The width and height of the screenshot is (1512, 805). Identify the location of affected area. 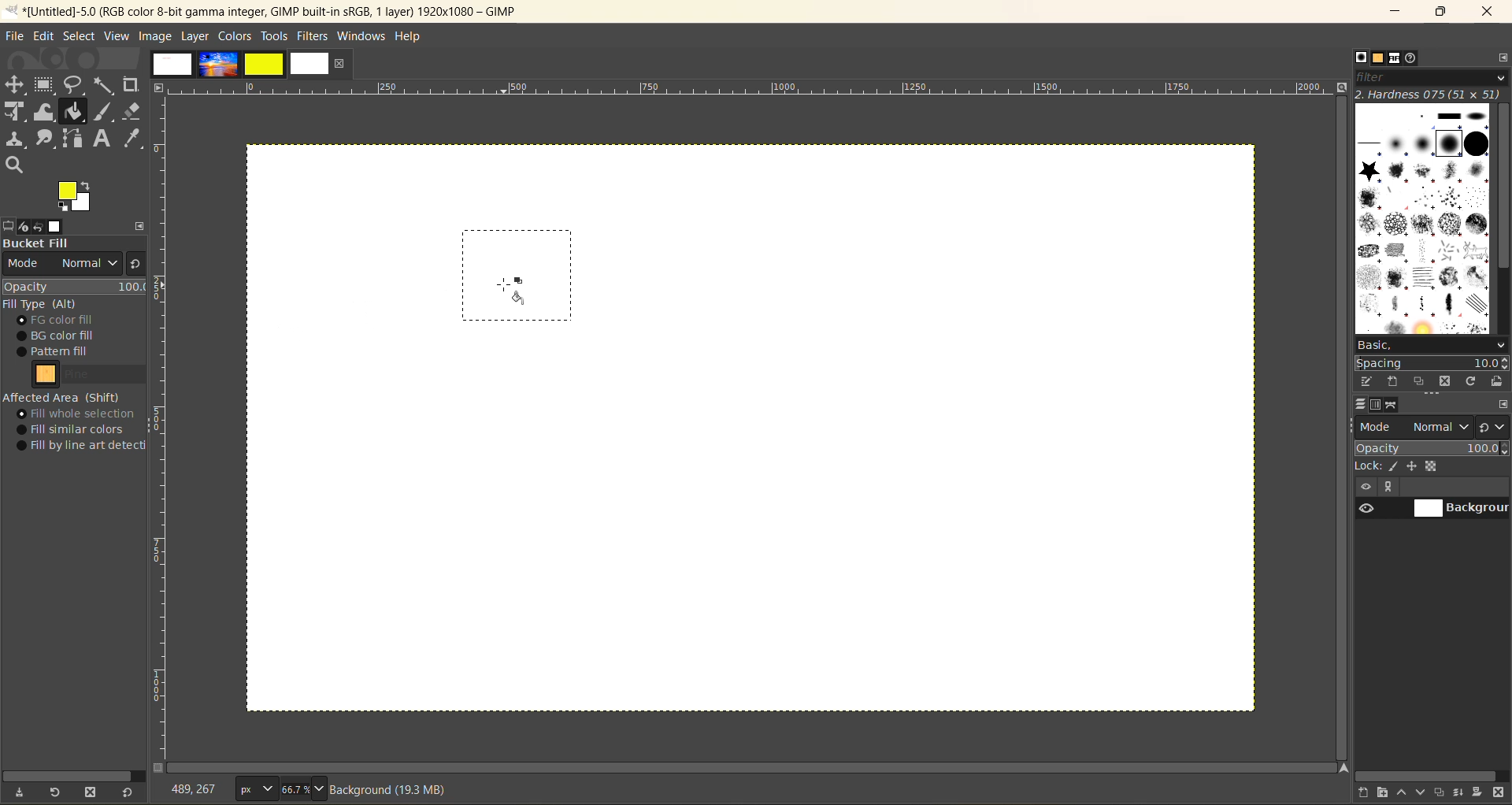
(63, 397).